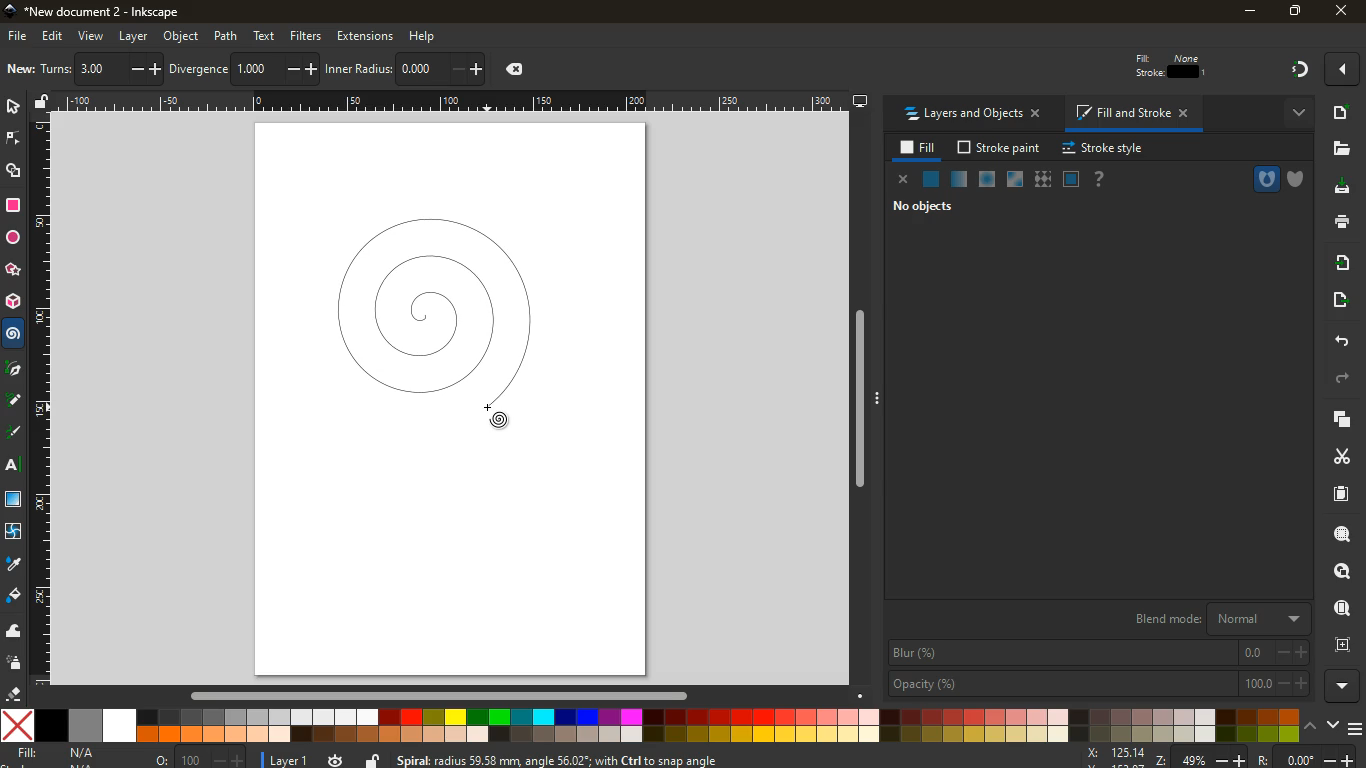  What do you see at coordinates (336, 758) in the screenshot?
I see `time` at bounding box center [336, 758].